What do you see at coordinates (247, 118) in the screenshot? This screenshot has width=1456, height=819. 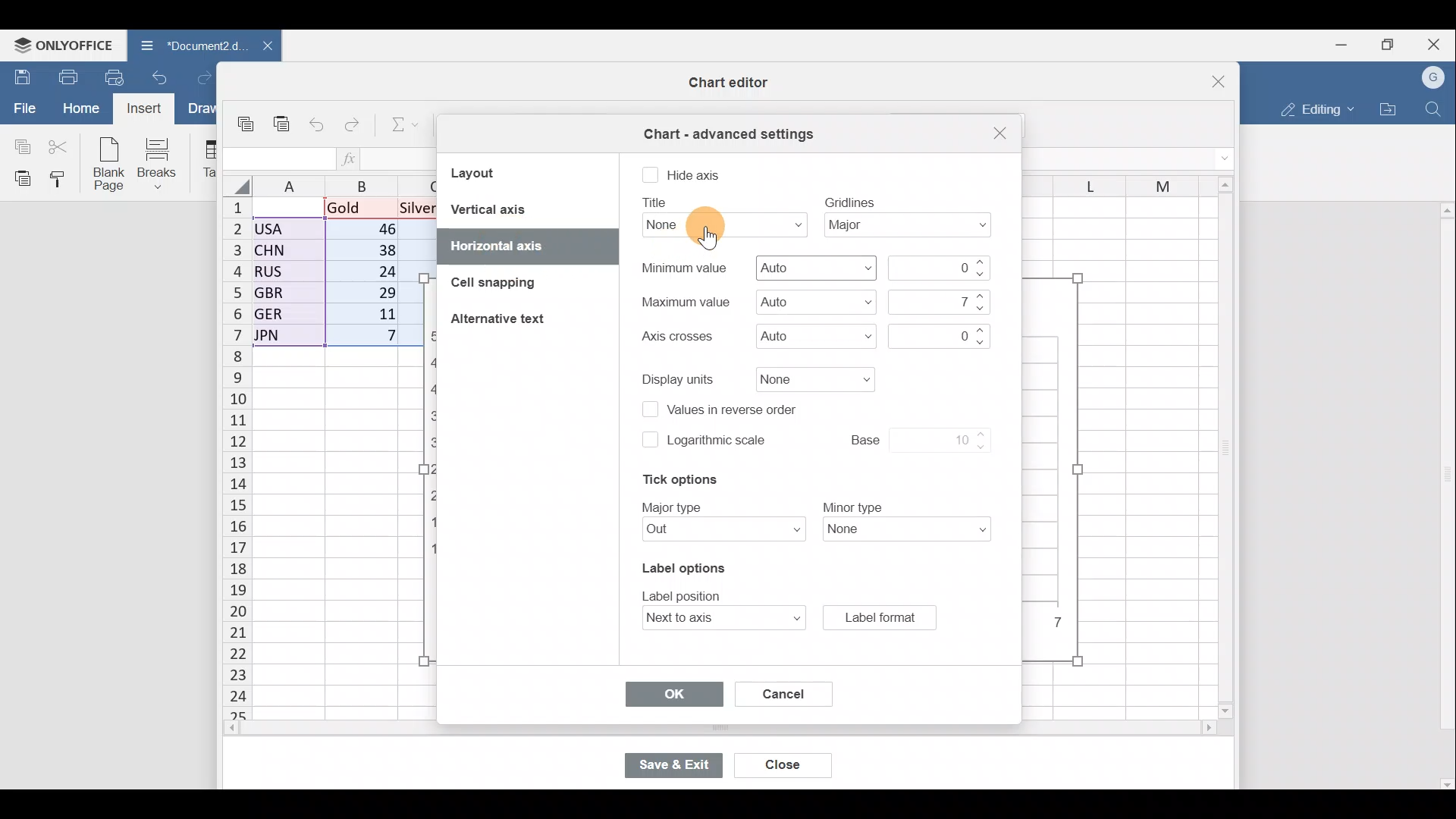 I see `Copy` at bounding box center [247, 118].